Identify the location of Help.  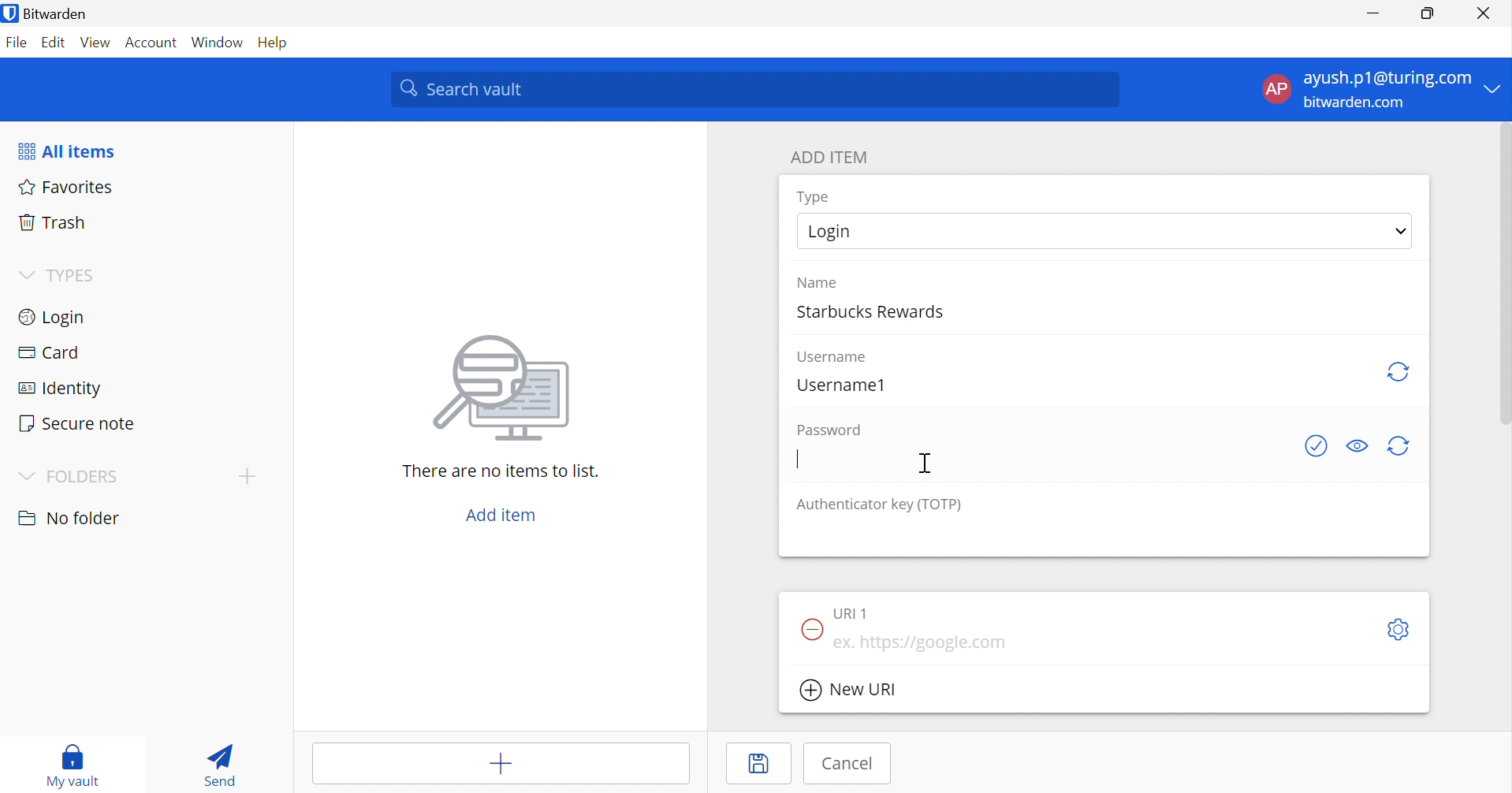
(279, 43).